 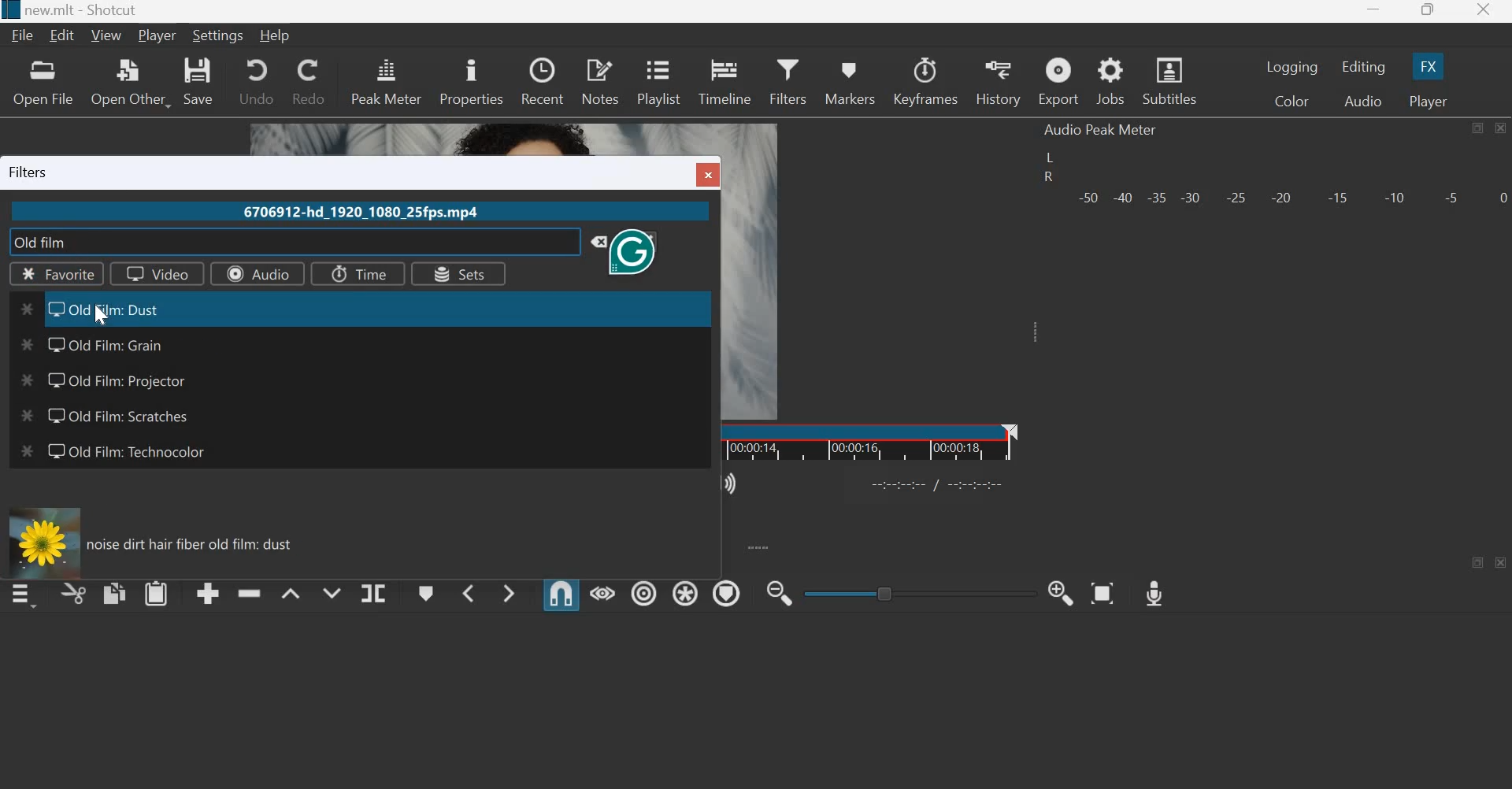 What do you see at coordinates (778, 595) in the screenshot?
I see `Zoom Timeline out` at bounding box center [778, 595].